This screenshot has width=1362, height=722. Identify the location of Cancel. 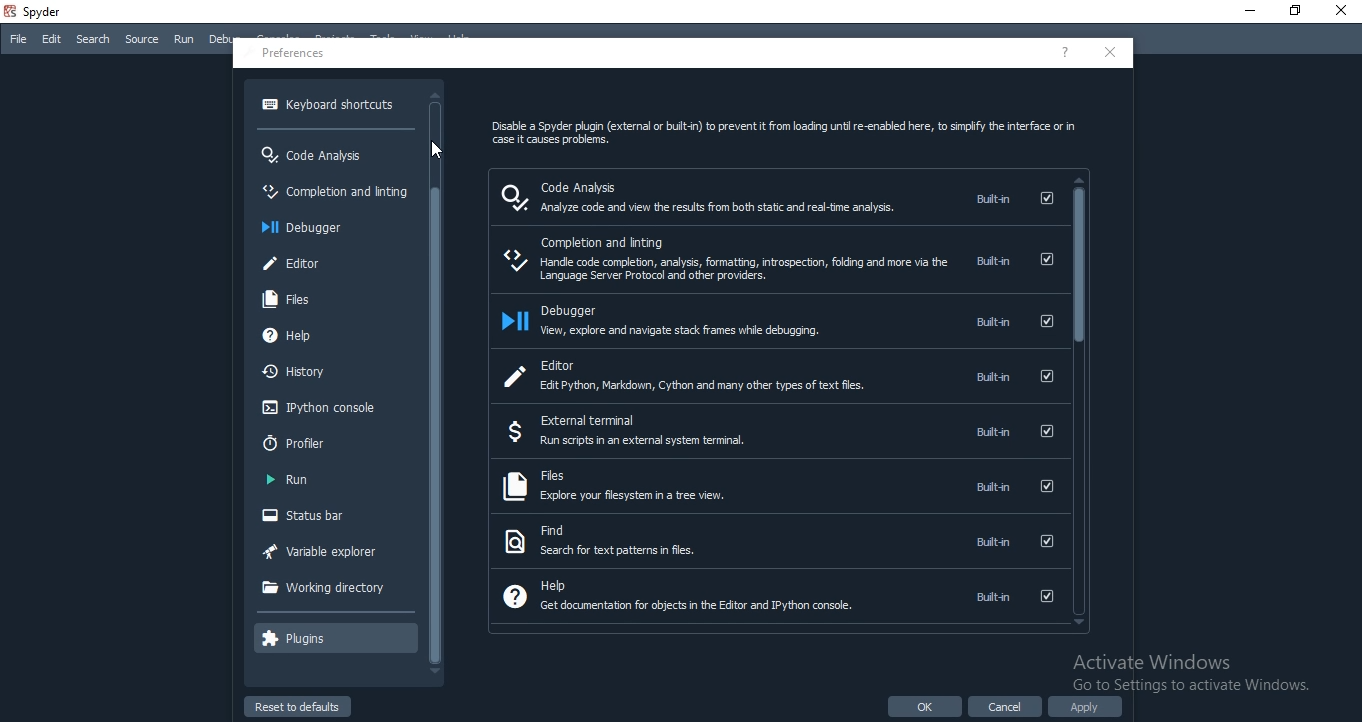
(1007, 706).